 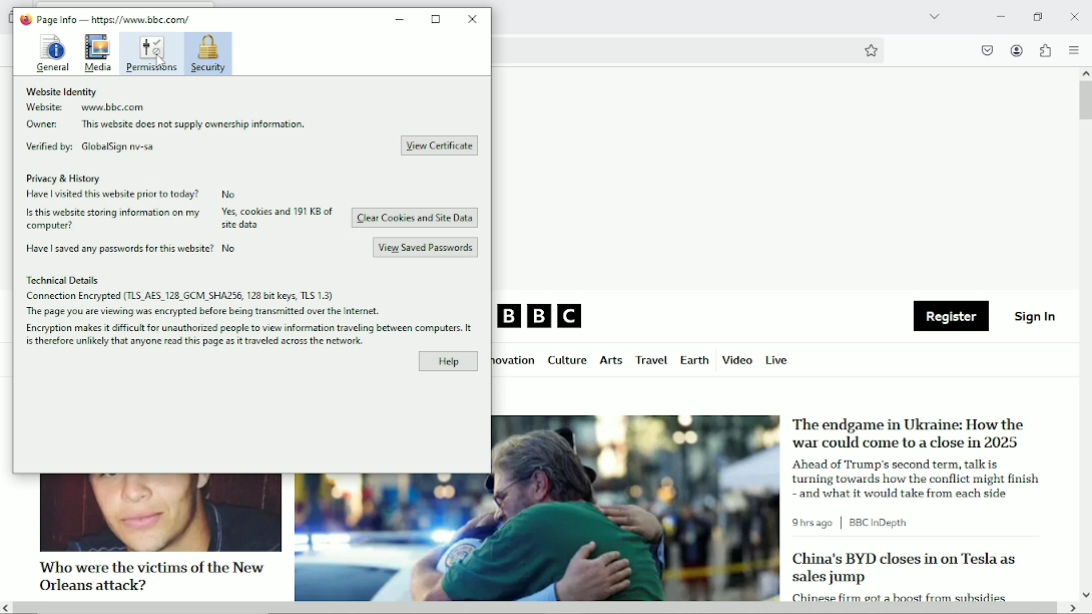 What do you see at coordinates (854, 523) in the screenshot?
I see `9 hrs ago | BBC in Depth` at bounding box center [854, 523].